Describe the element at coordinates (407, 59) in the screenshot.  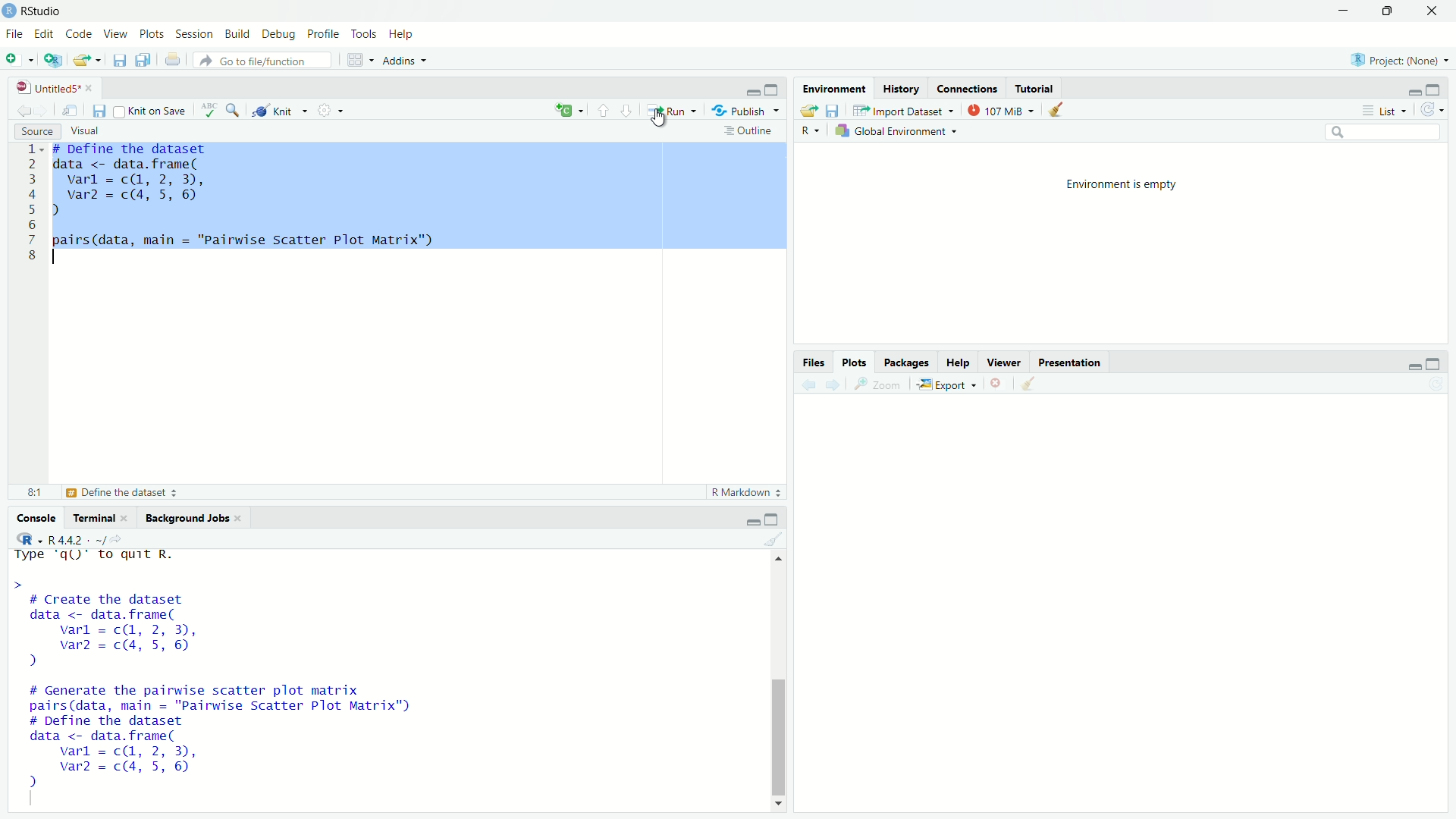
I see `Addins` at that location.